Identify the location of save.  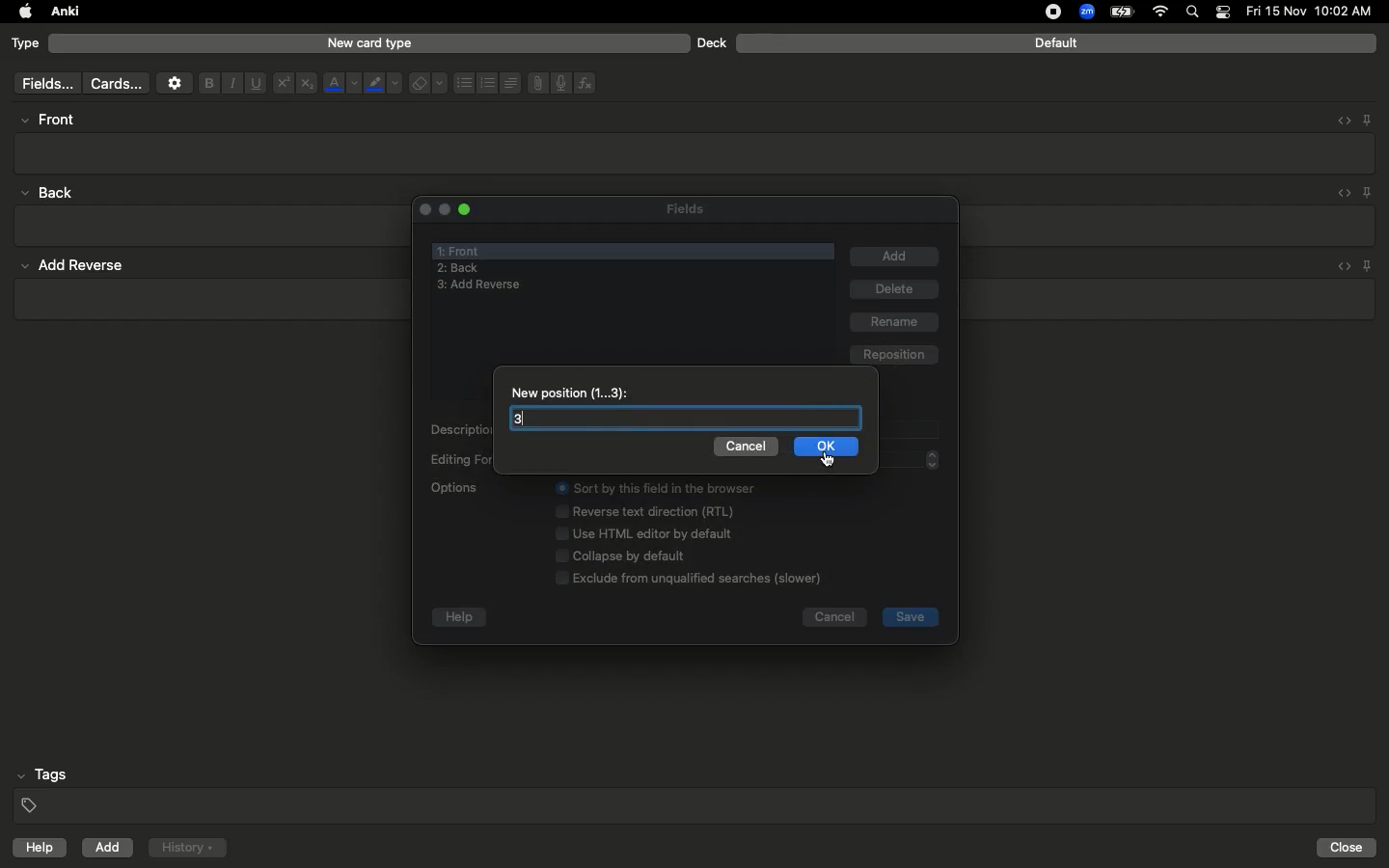
(911, 617).